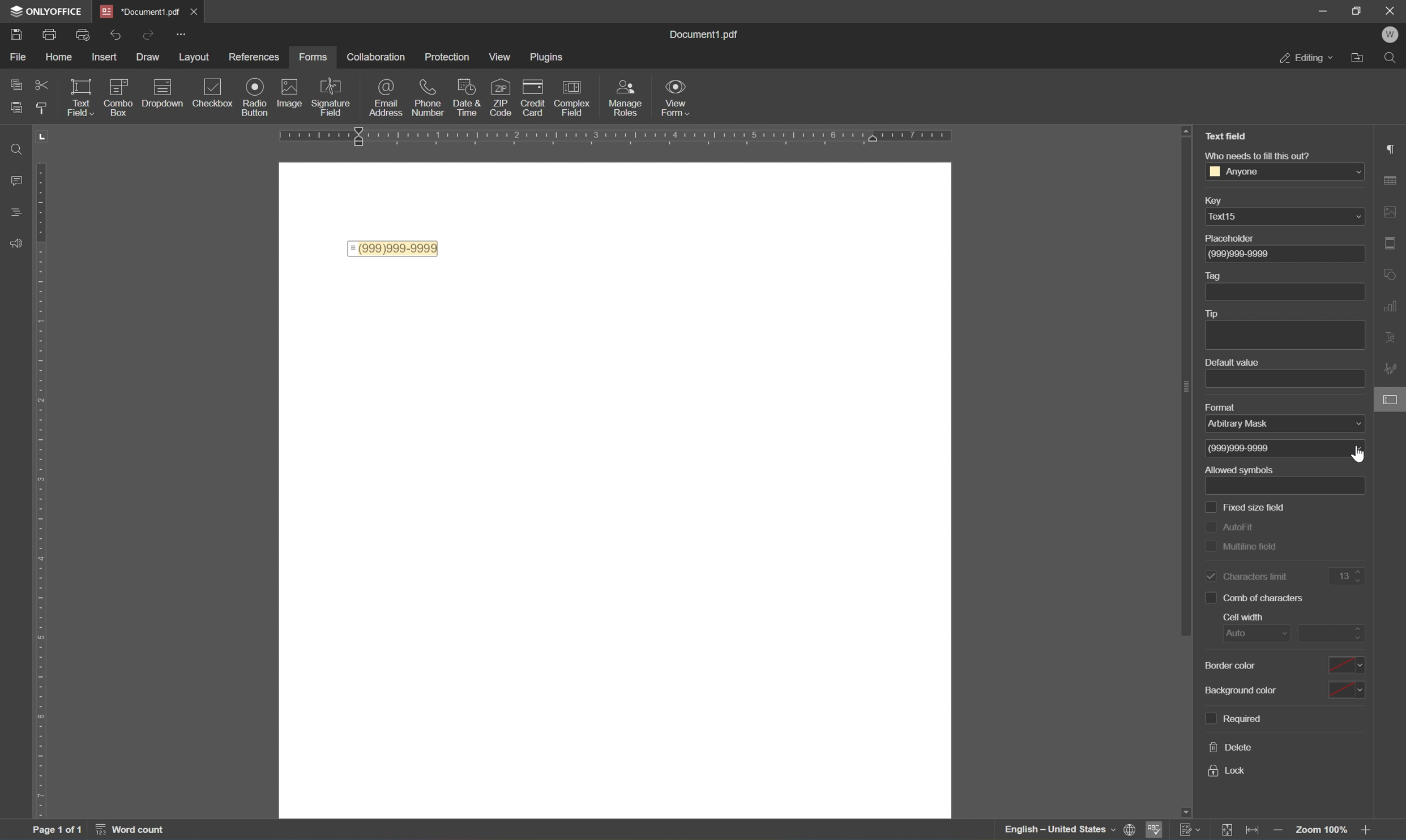  What do you see at coordinates (103, 57) in the screenshot?
I see `insert` at bounding box center [103, 57].